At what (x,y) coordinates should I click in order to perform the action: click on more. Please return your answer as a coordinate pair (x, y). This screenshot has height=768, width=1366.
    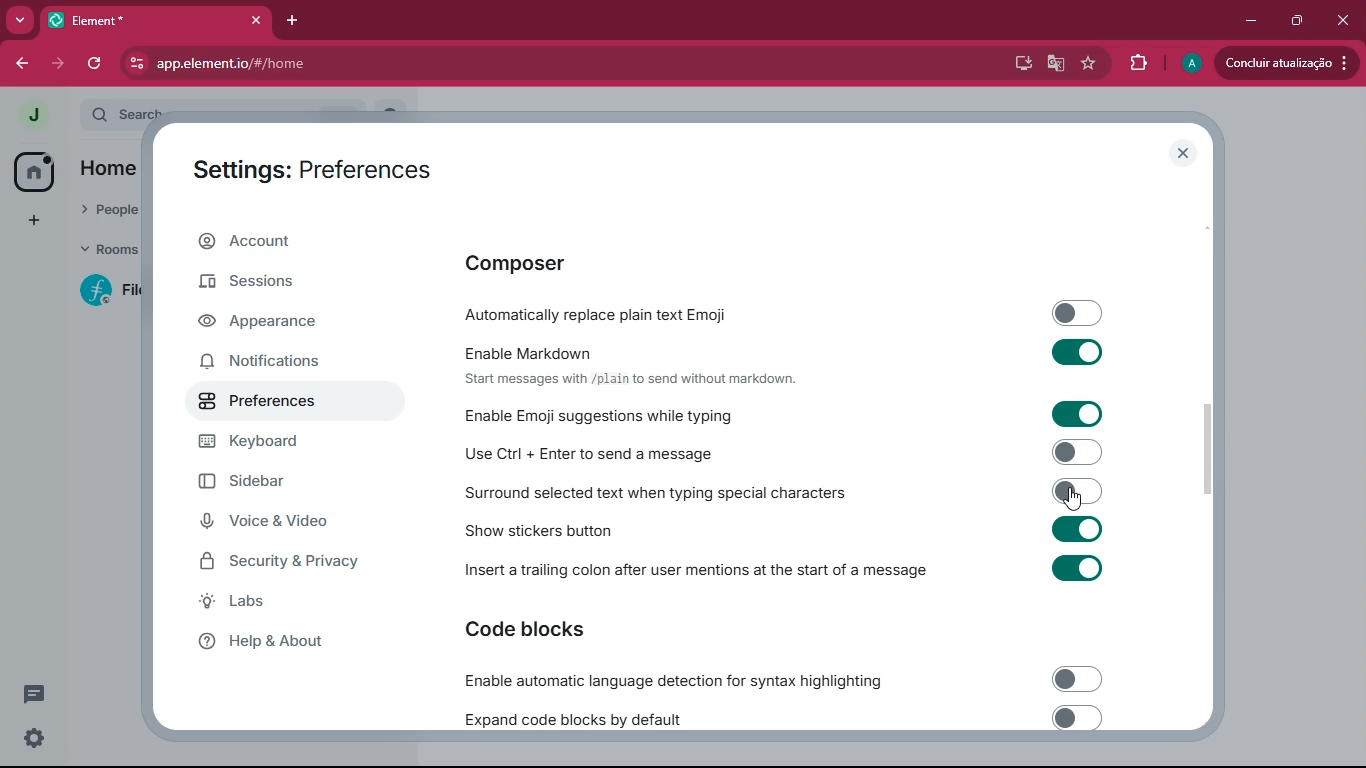
    Looking at the image, I should click on (19, 19).